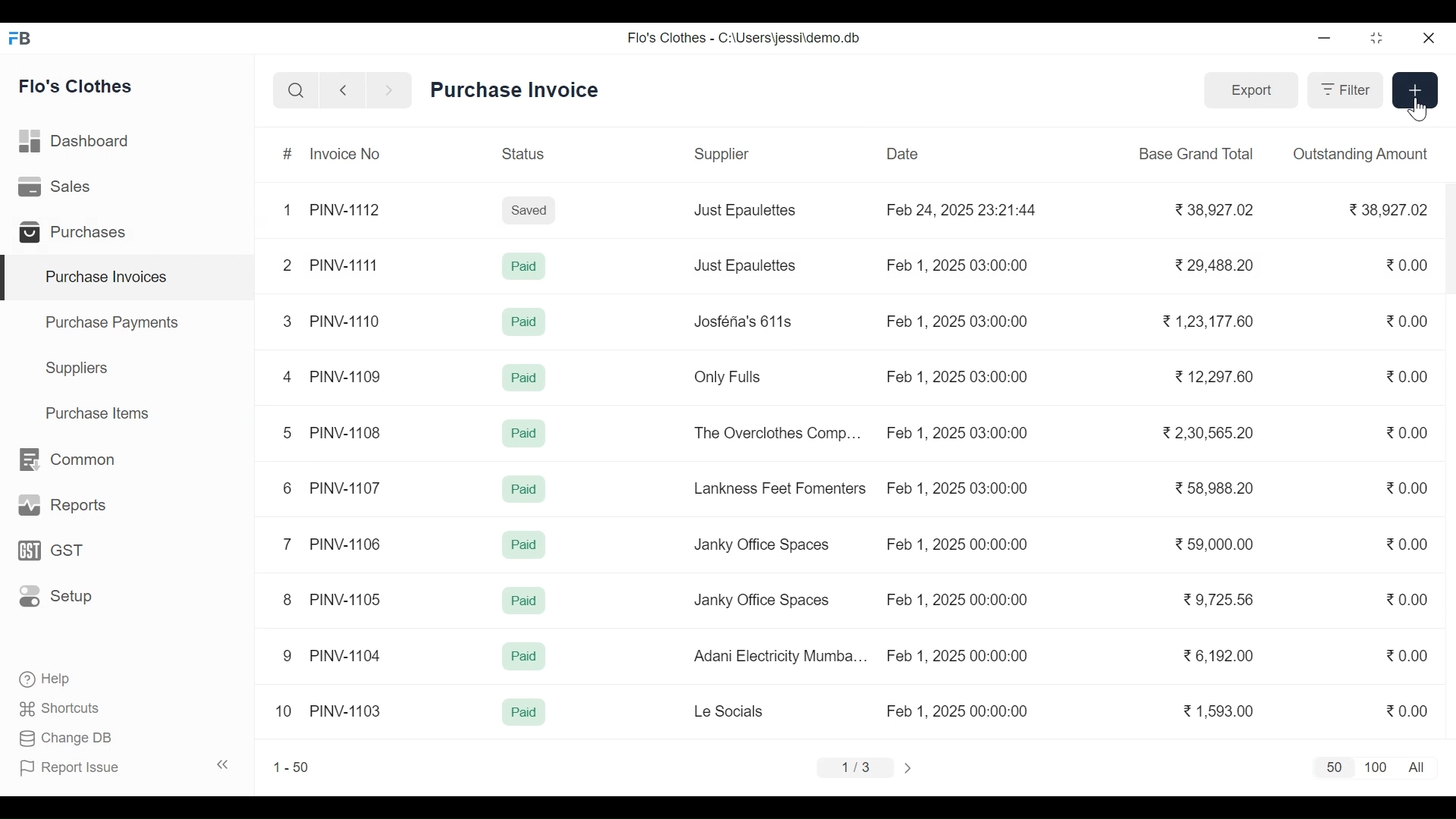  Describe the element at coordinates (347, 260) in the screenshot. I see `PINV-1111` at that location.